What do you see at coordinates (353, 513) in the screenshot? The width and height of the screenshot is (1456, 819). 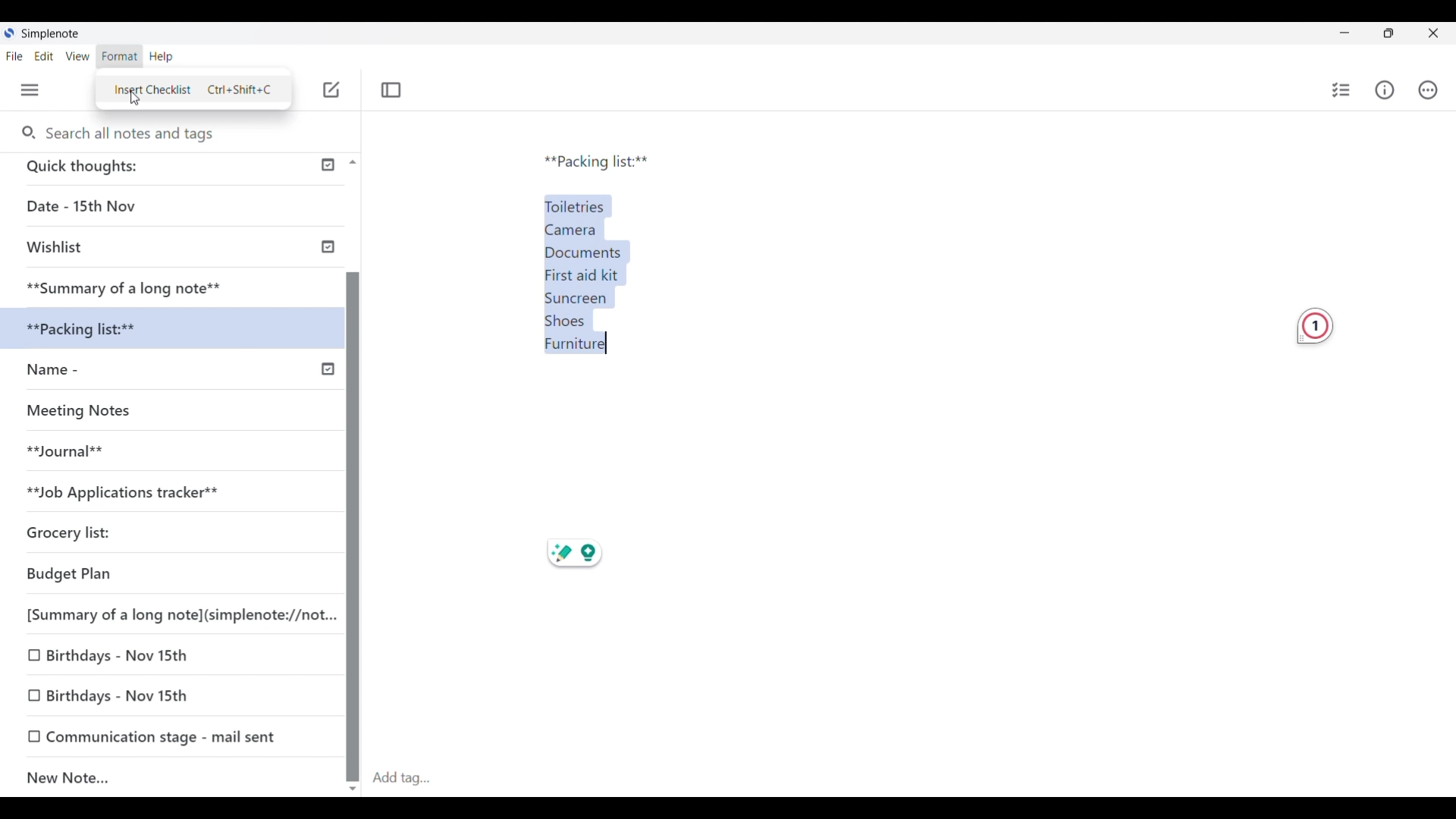 I see `Vertical slide bar for left panel` at bounding box center [353, 513].